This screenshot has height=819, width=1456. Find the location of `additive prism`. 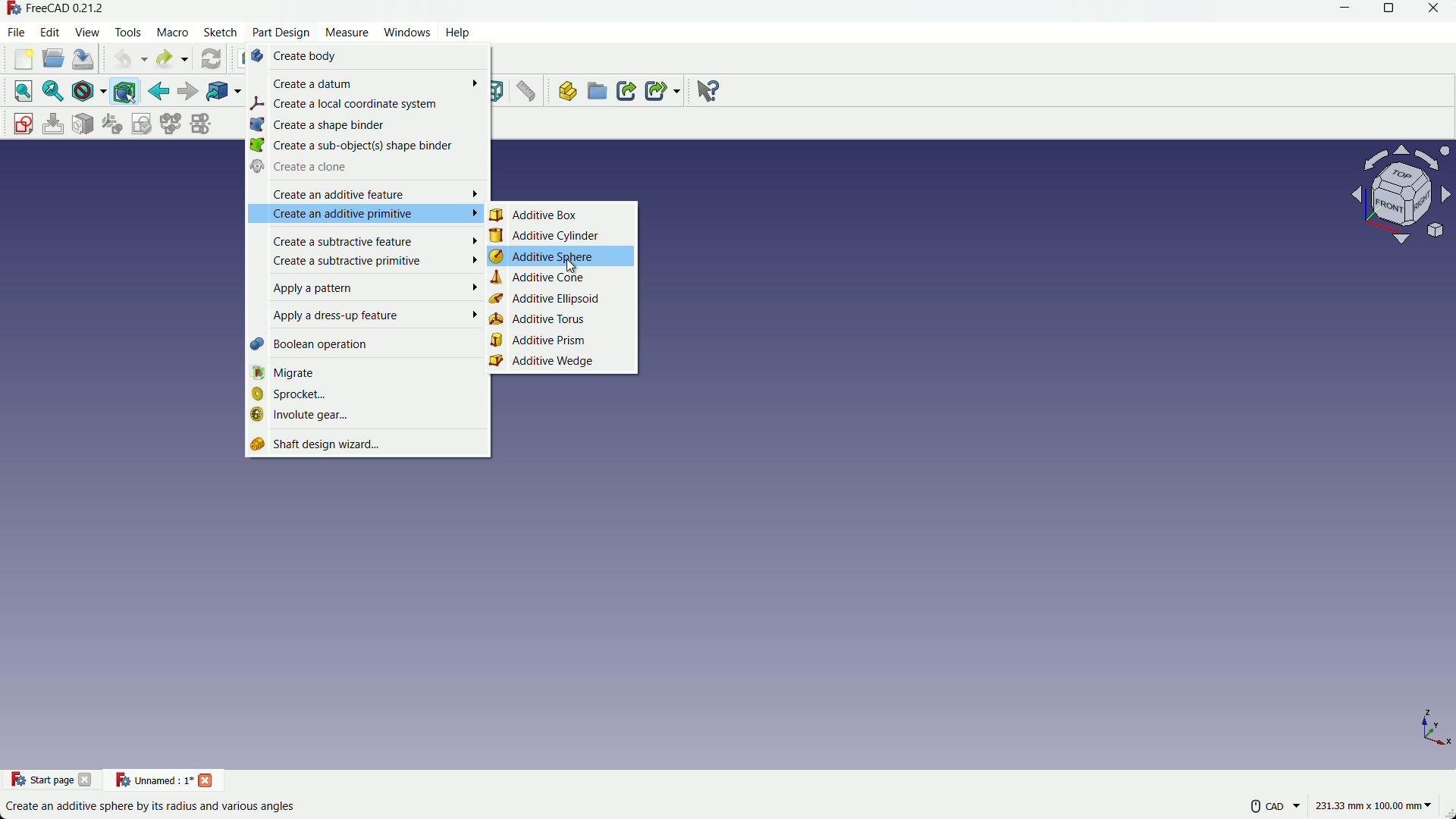

additive prism is located at coordinates (564, 340).